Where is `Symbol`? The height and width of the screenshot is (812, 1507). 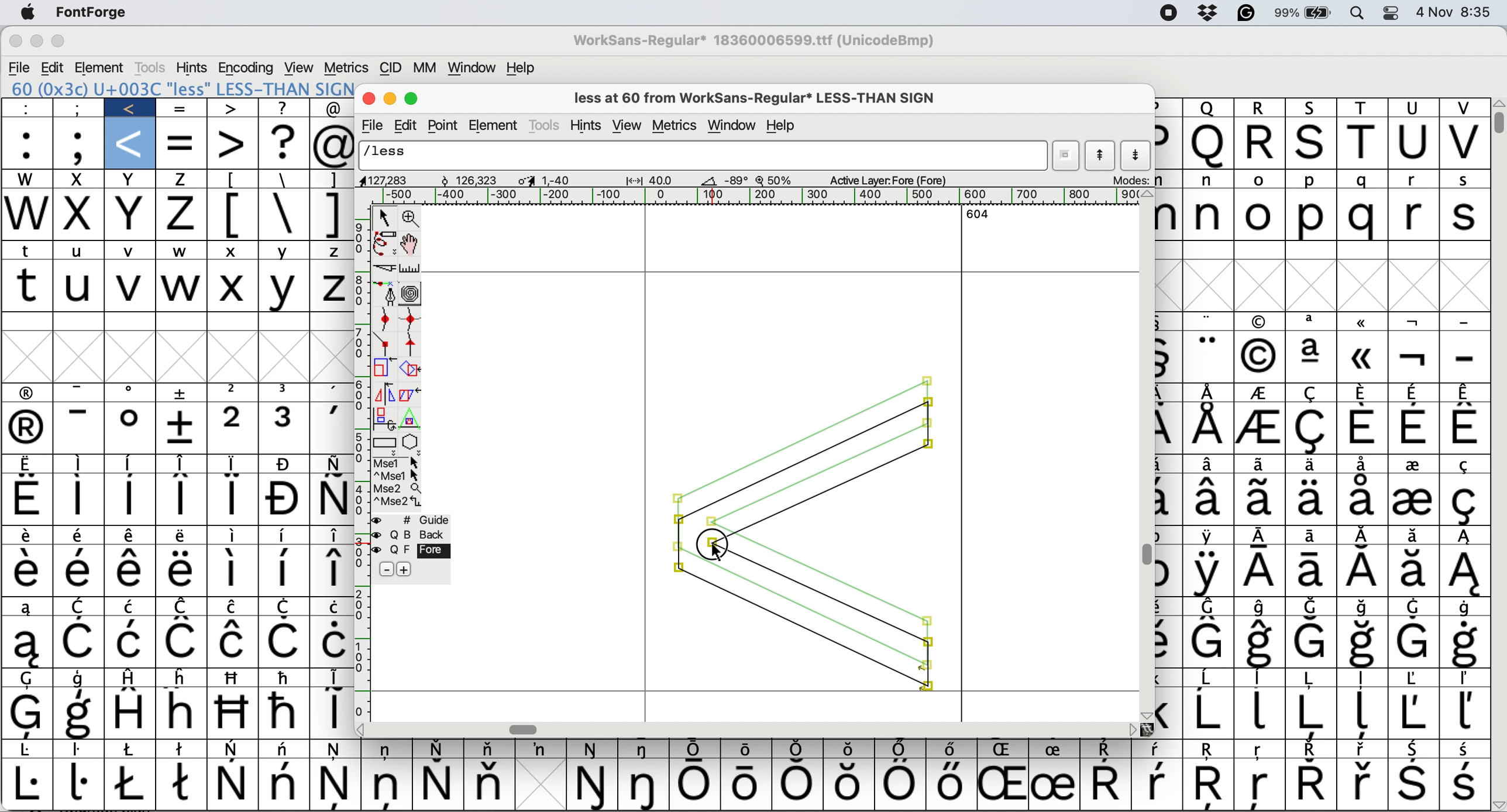
Symbol is located at coordinates (1260, 463).